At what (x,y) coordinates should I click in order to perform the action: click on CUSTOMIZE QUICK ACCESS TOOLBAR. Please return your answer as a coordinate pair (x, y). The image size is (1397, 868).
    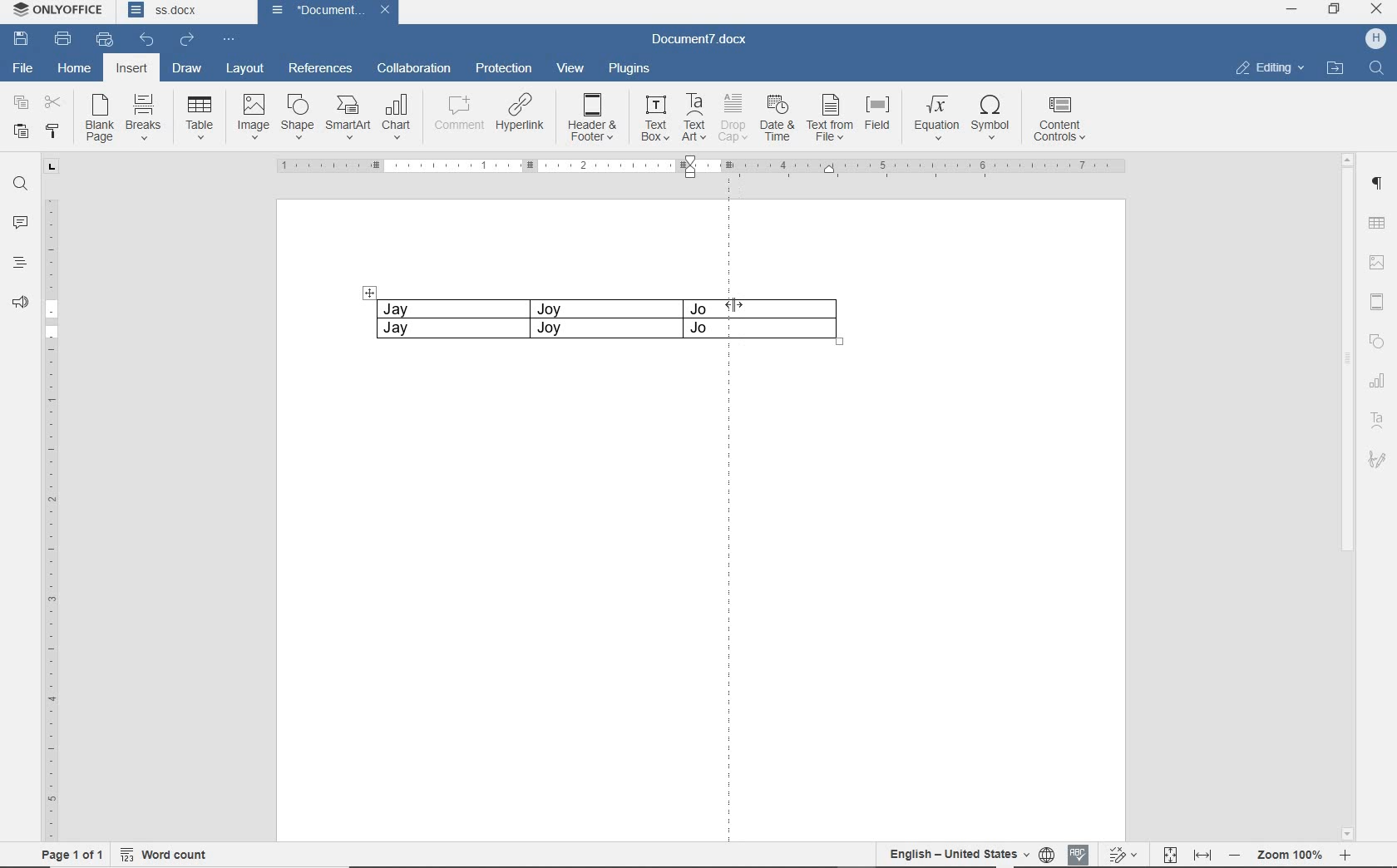
    Looking at the image, I should click on (225, 40).